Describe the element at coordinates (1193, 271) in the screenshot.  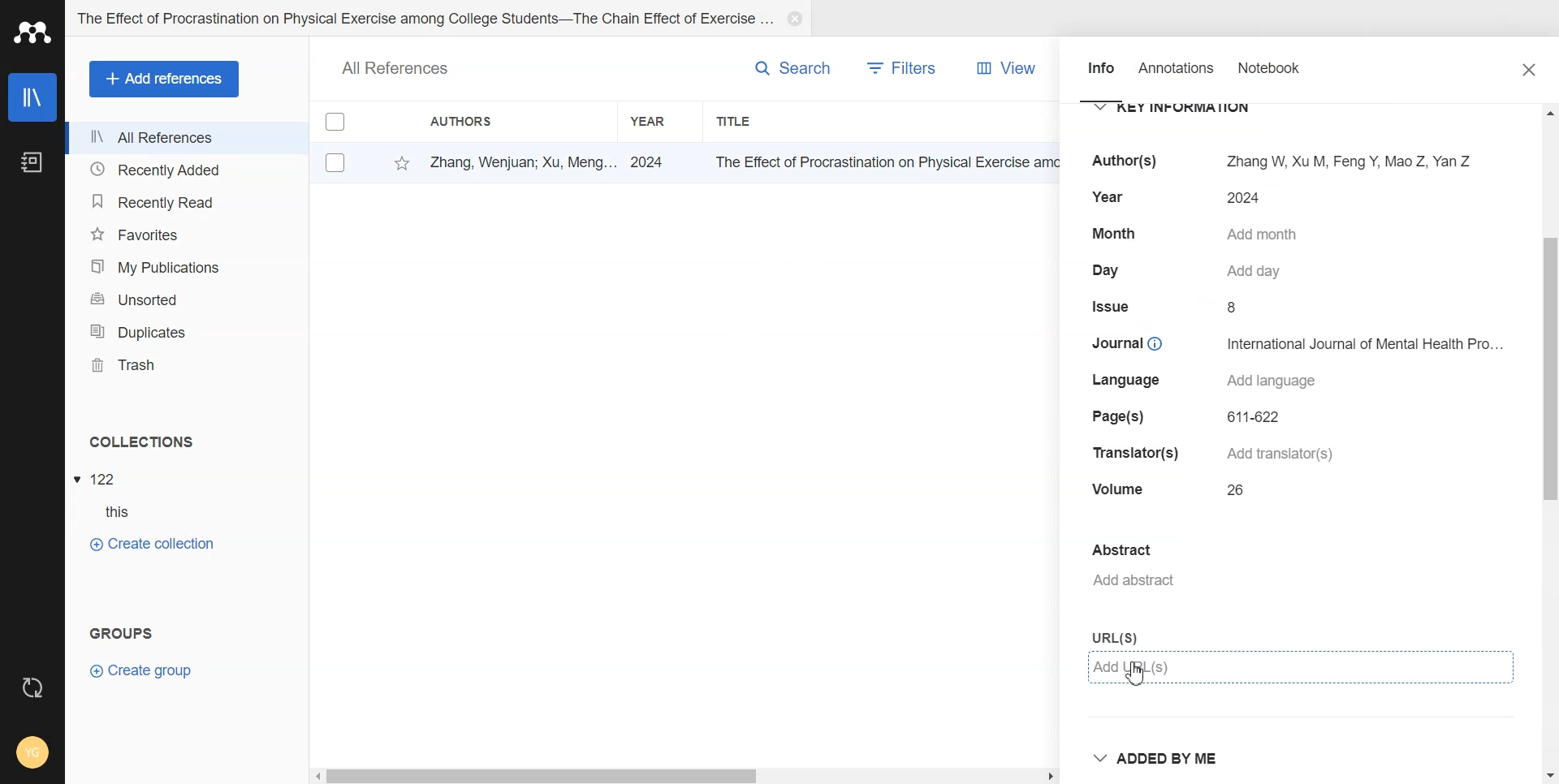
I see `Day Add day` at that location.